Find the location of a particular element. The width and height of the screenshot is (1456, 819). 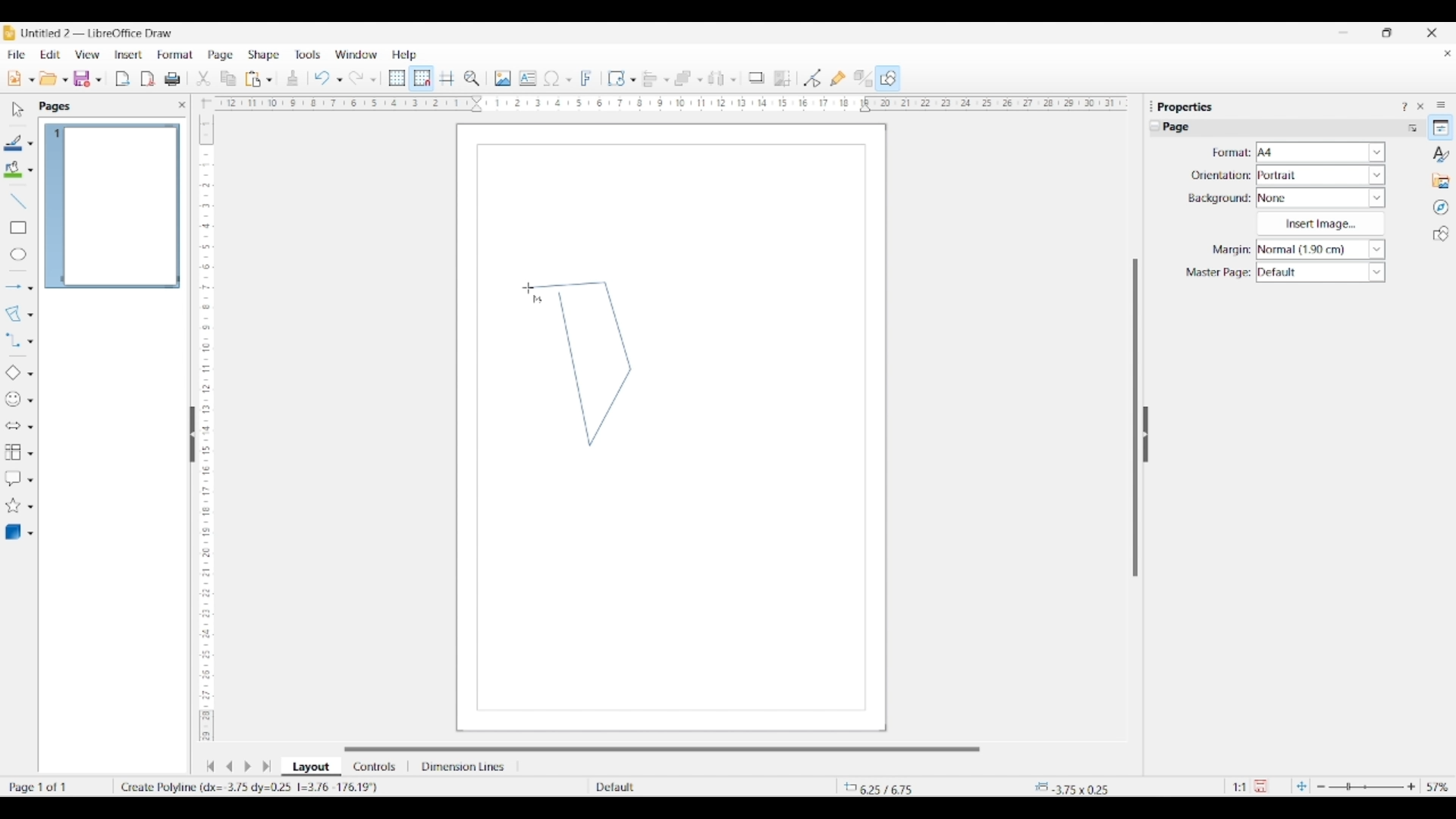

Selected copy options is located at coordinates (203, 79).